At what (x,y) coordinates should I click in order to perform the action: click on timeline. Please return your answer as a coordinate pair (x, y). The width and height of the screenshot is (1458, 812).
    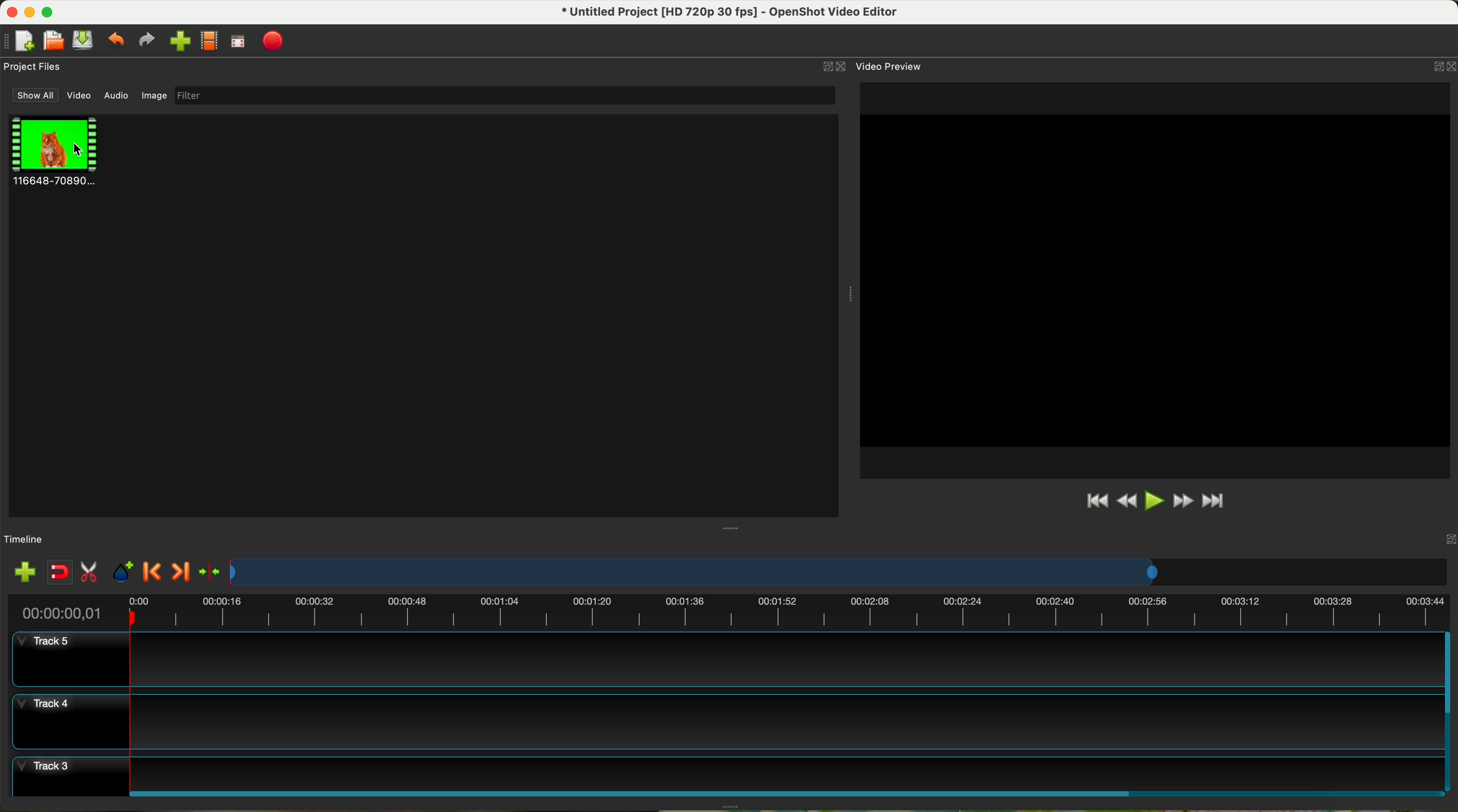
    Looking at the image, I should click on (727, 610).